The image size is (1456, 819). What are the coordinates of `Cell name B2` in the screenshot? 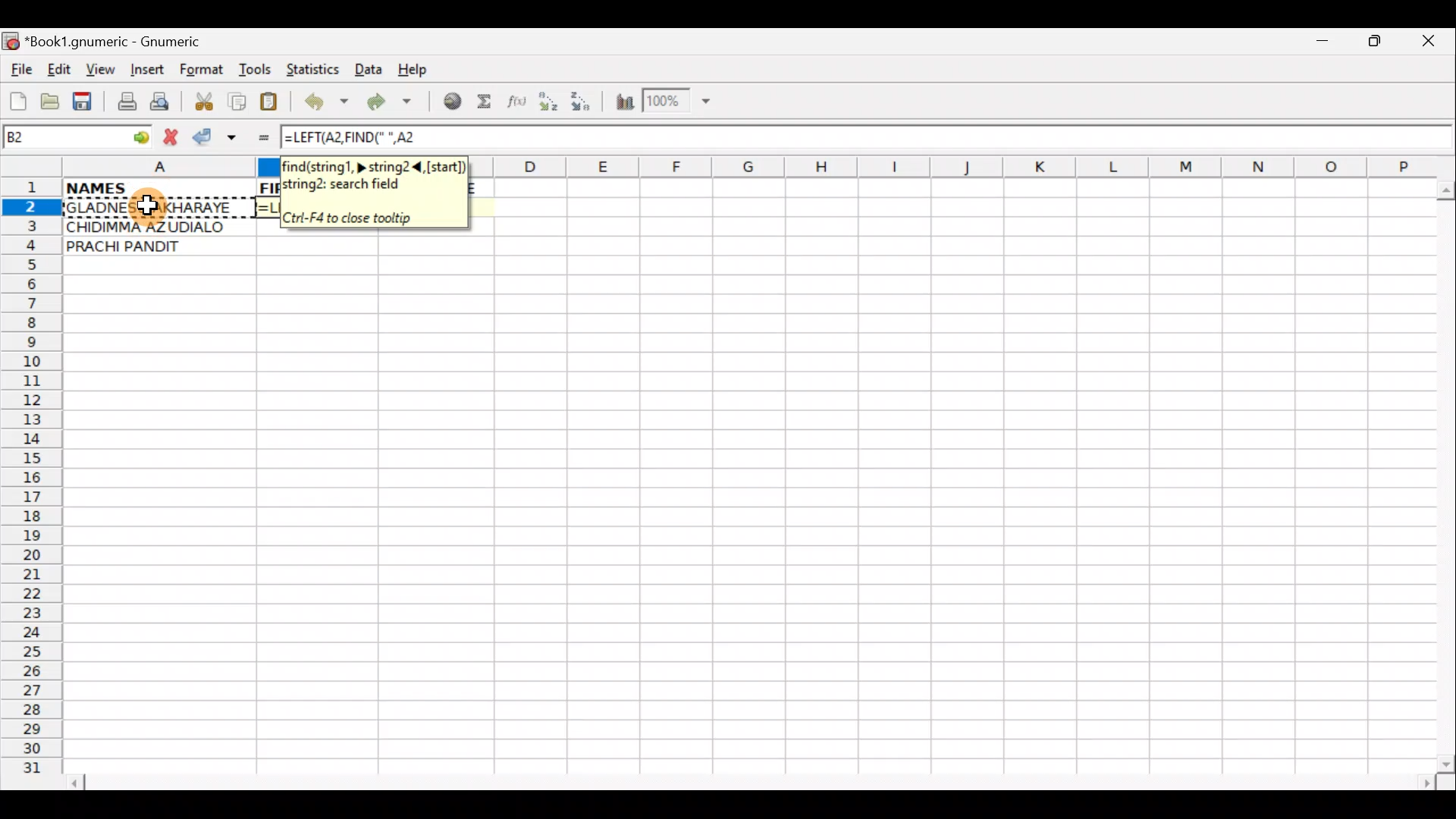 It's located at (58, 137).